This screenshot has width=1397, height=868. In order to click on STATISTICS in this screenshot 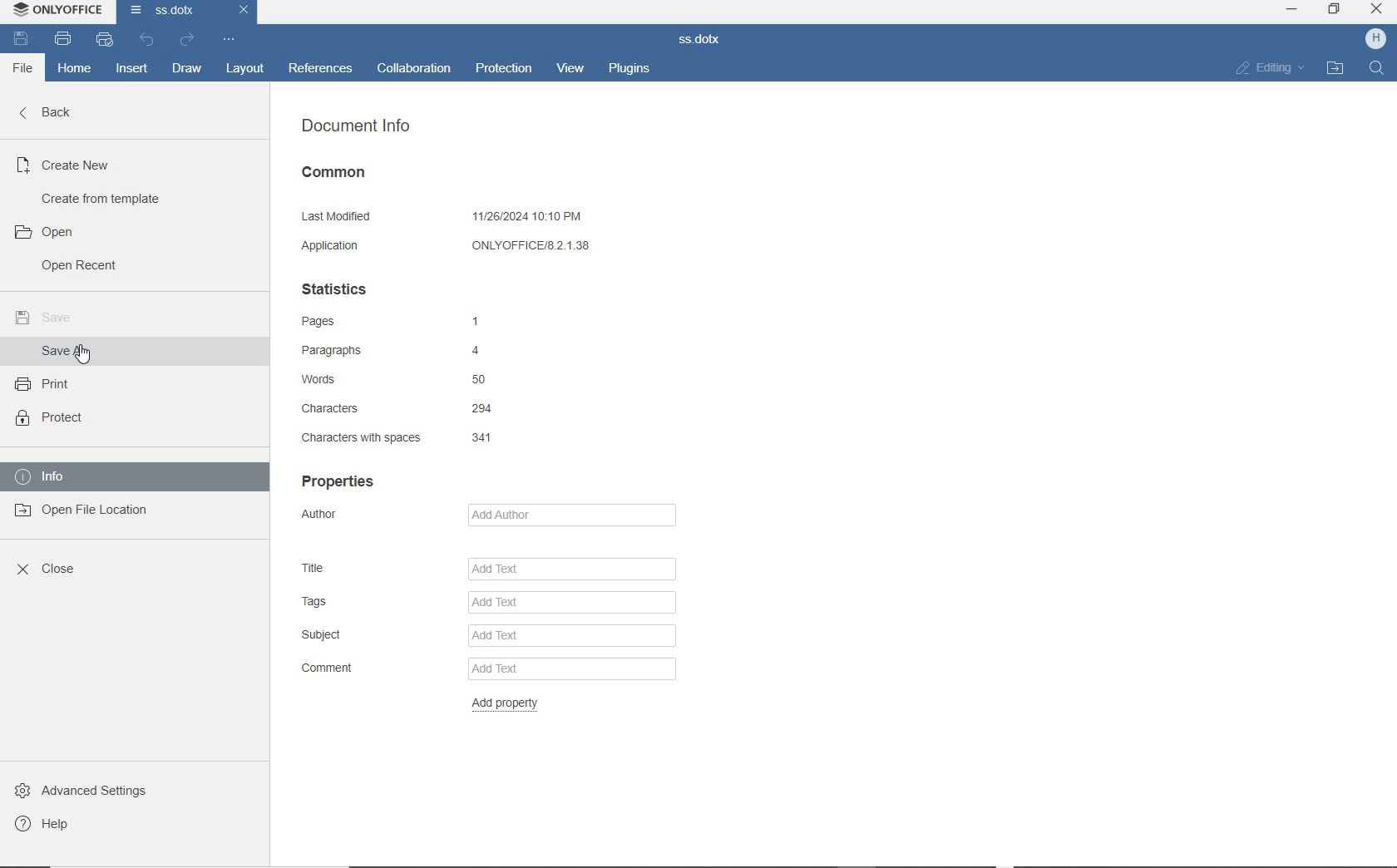, I will do `click(349, 289)`.